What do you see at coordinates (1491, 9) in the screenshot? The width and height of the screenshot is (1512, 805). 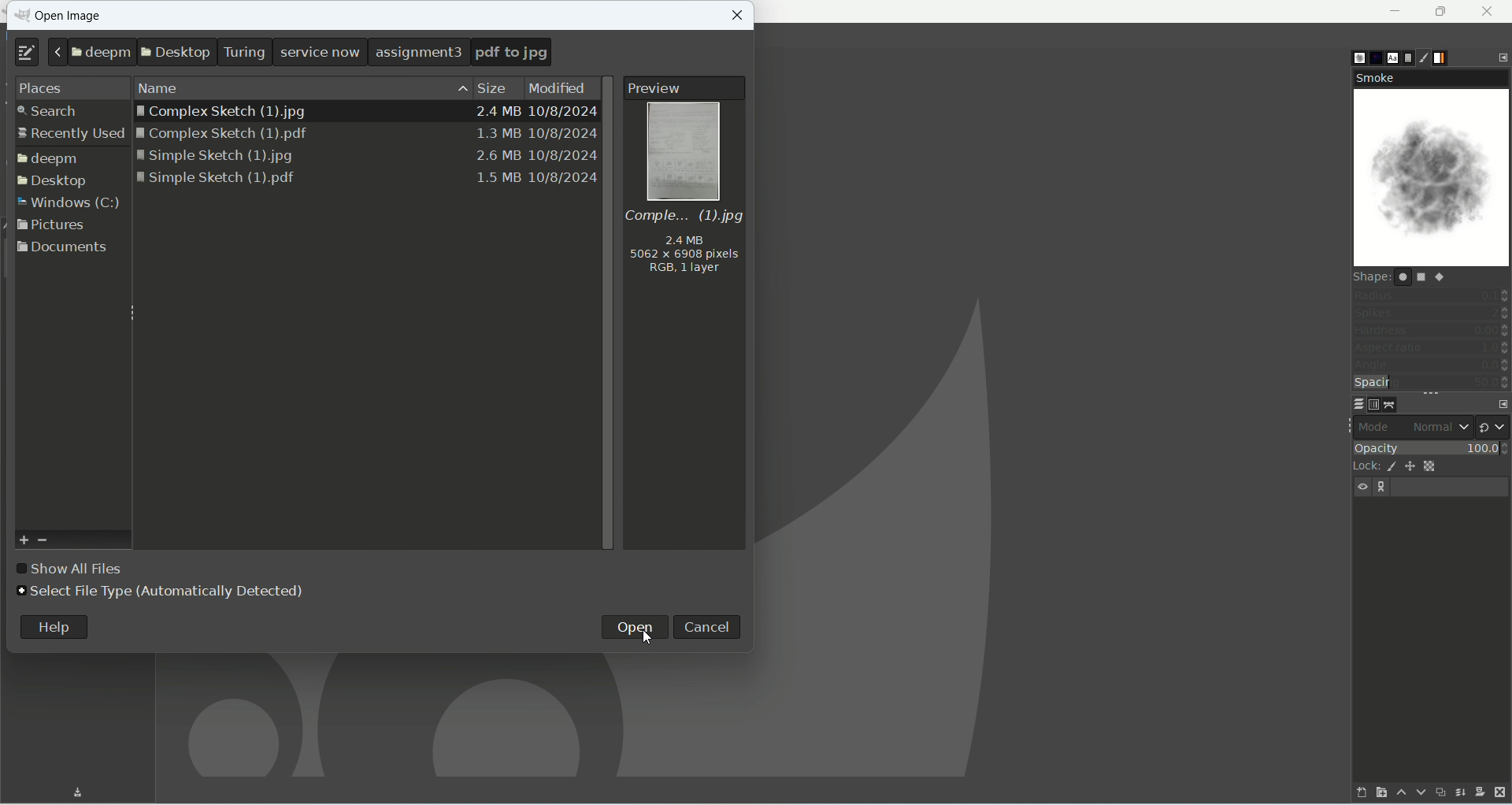 I see `close` at bounding box center [1491, 9].